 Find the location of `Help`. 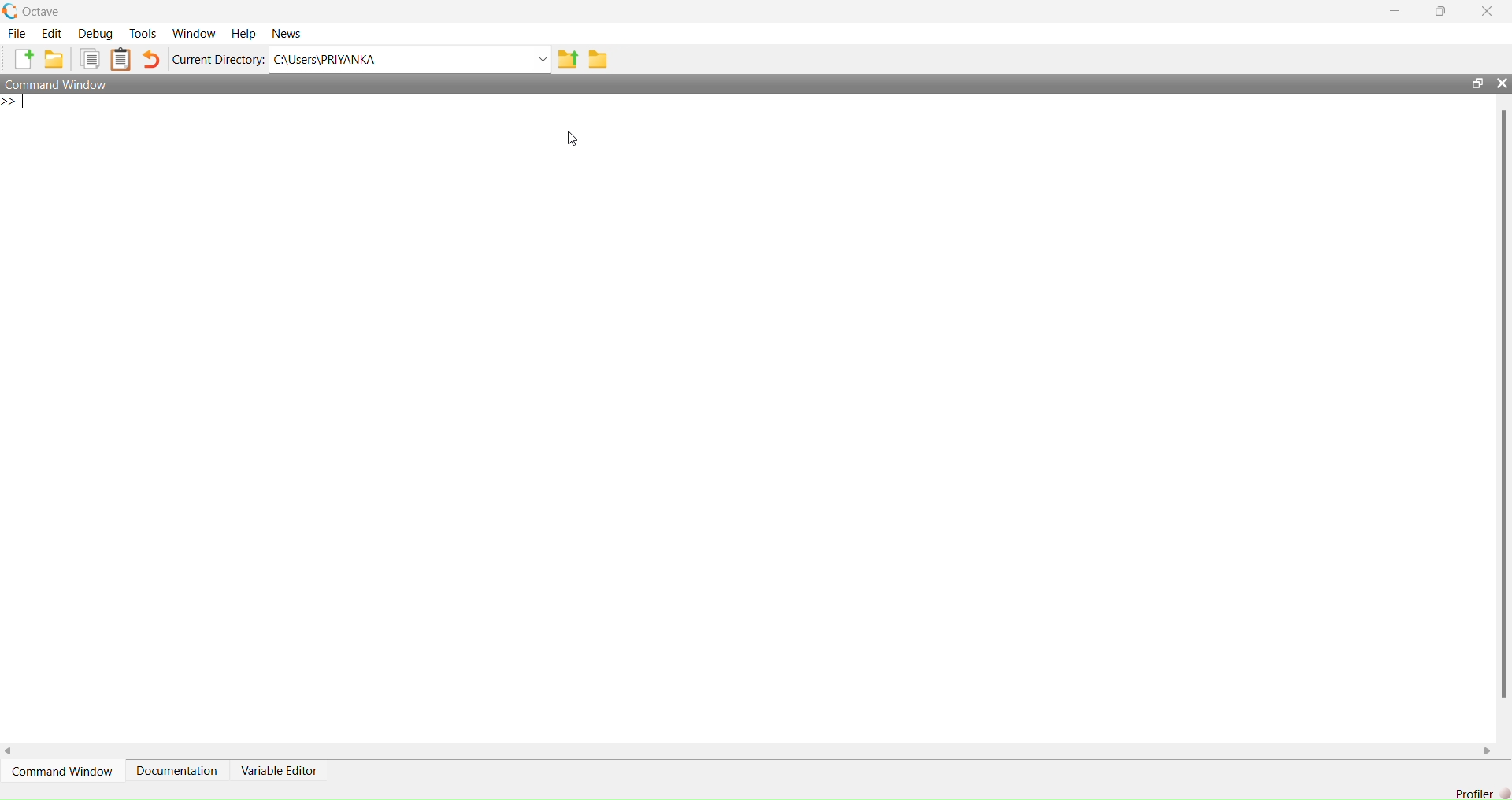

Help is located at coordinates (245, 33).